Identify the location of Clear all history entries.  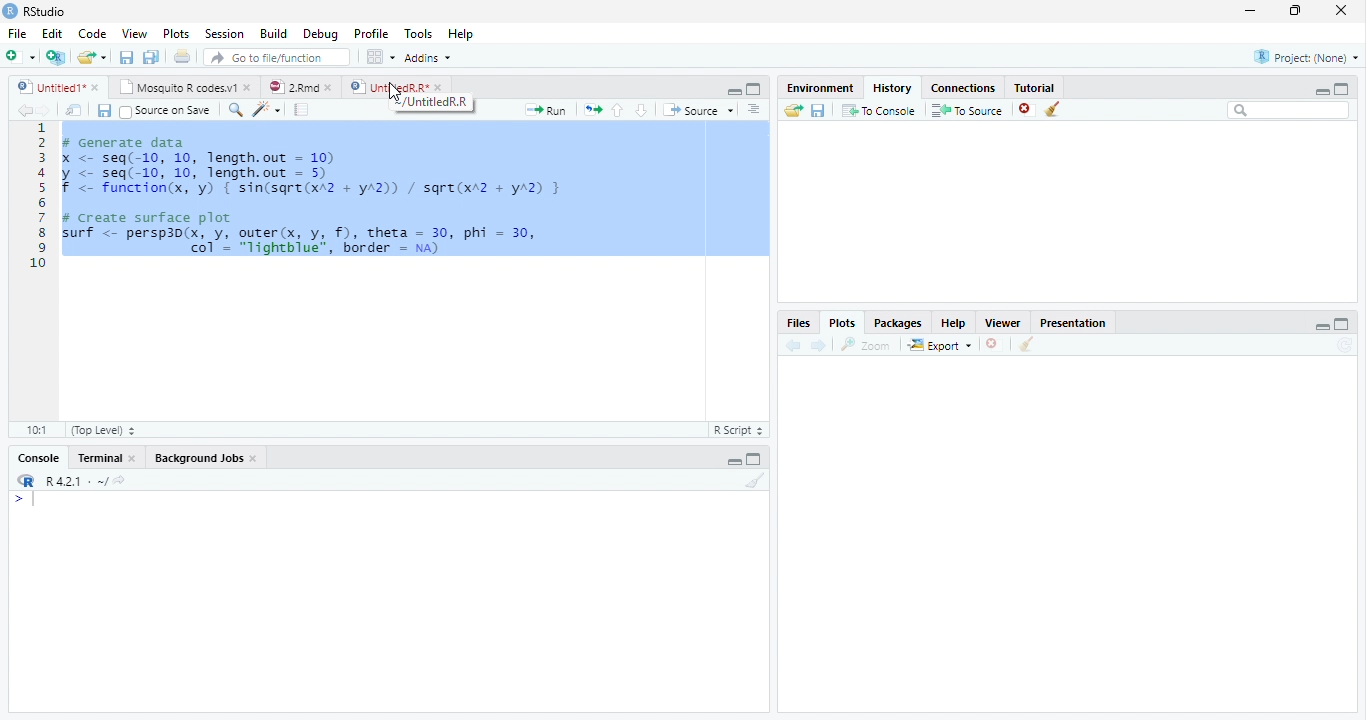
(1052, 109).